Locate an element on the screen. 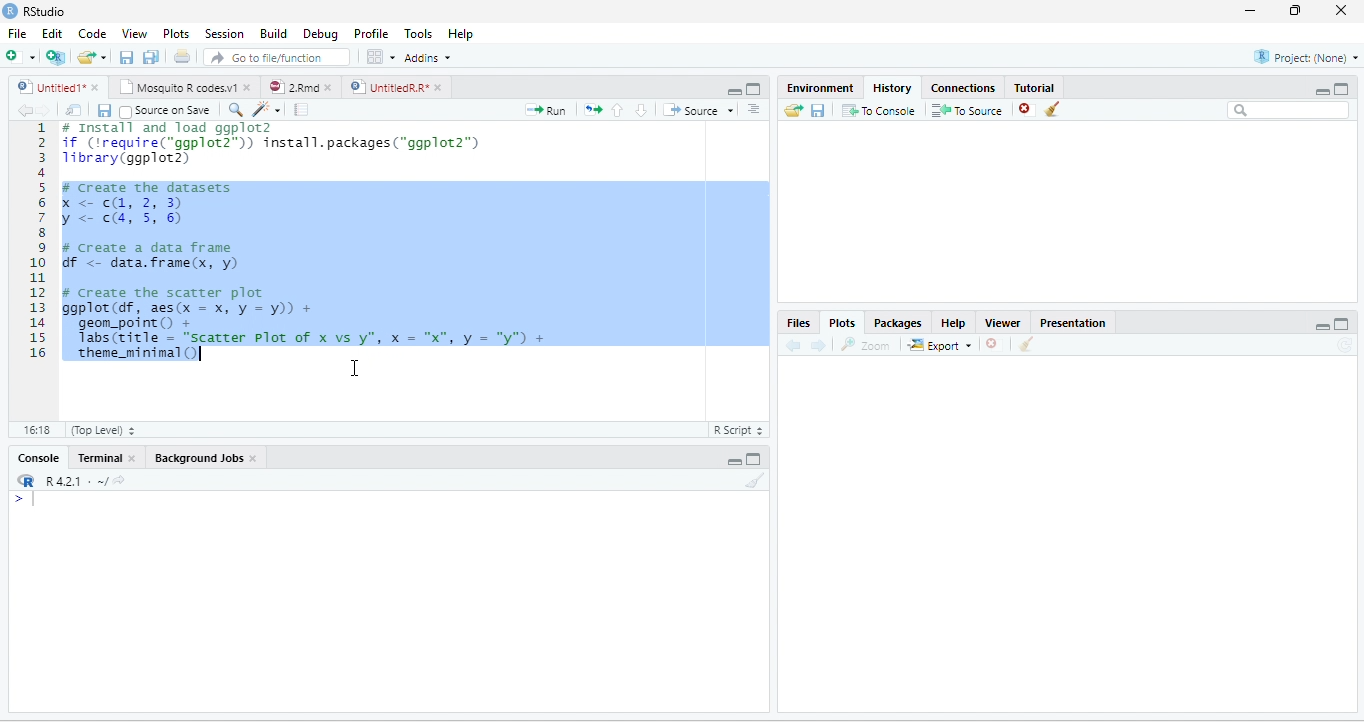 The image size is (1364, 722). Code is located at coordinates (91, 33).